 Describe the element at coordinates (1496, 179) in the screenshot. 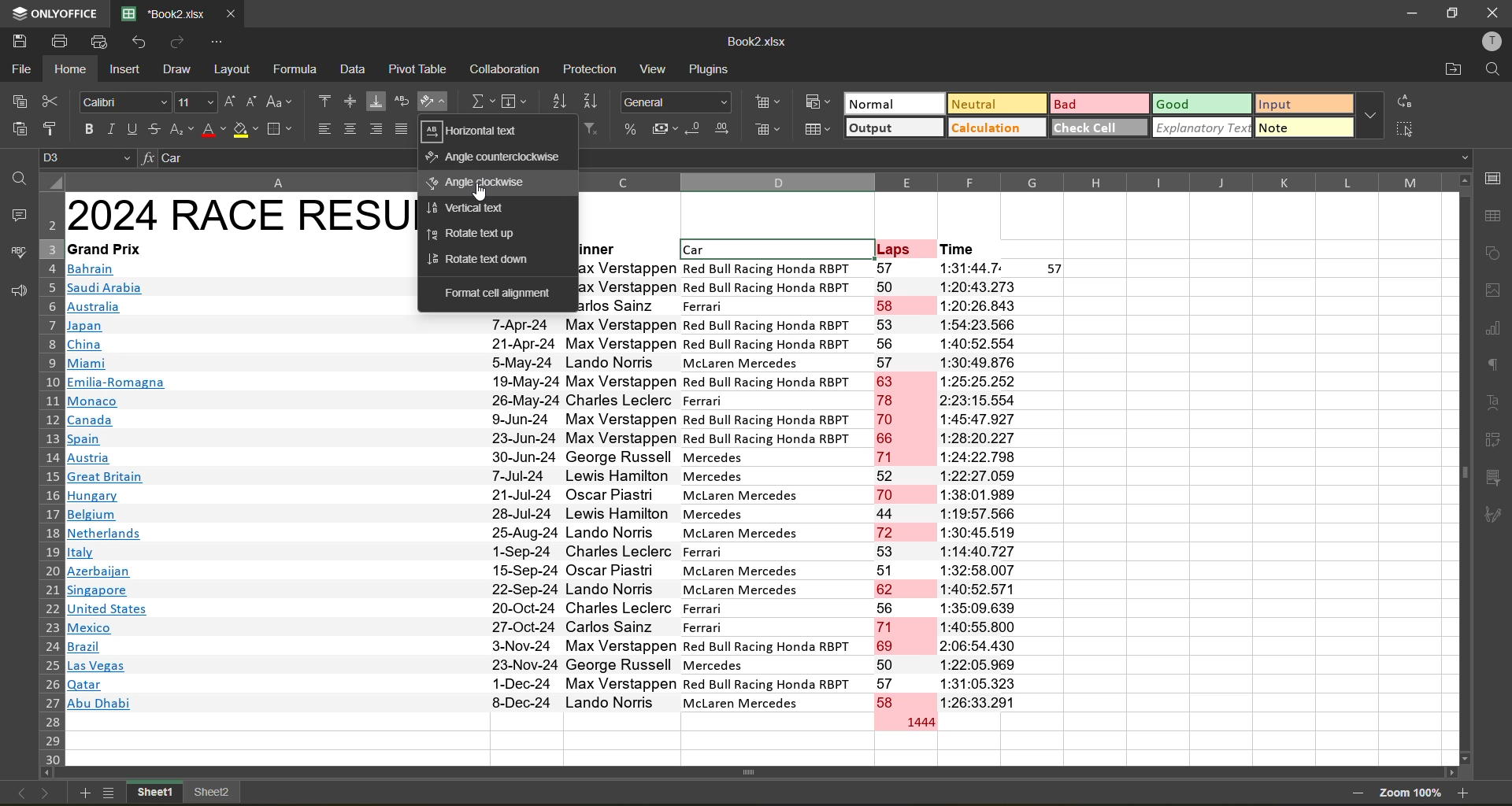

I see `call settings` at that location.